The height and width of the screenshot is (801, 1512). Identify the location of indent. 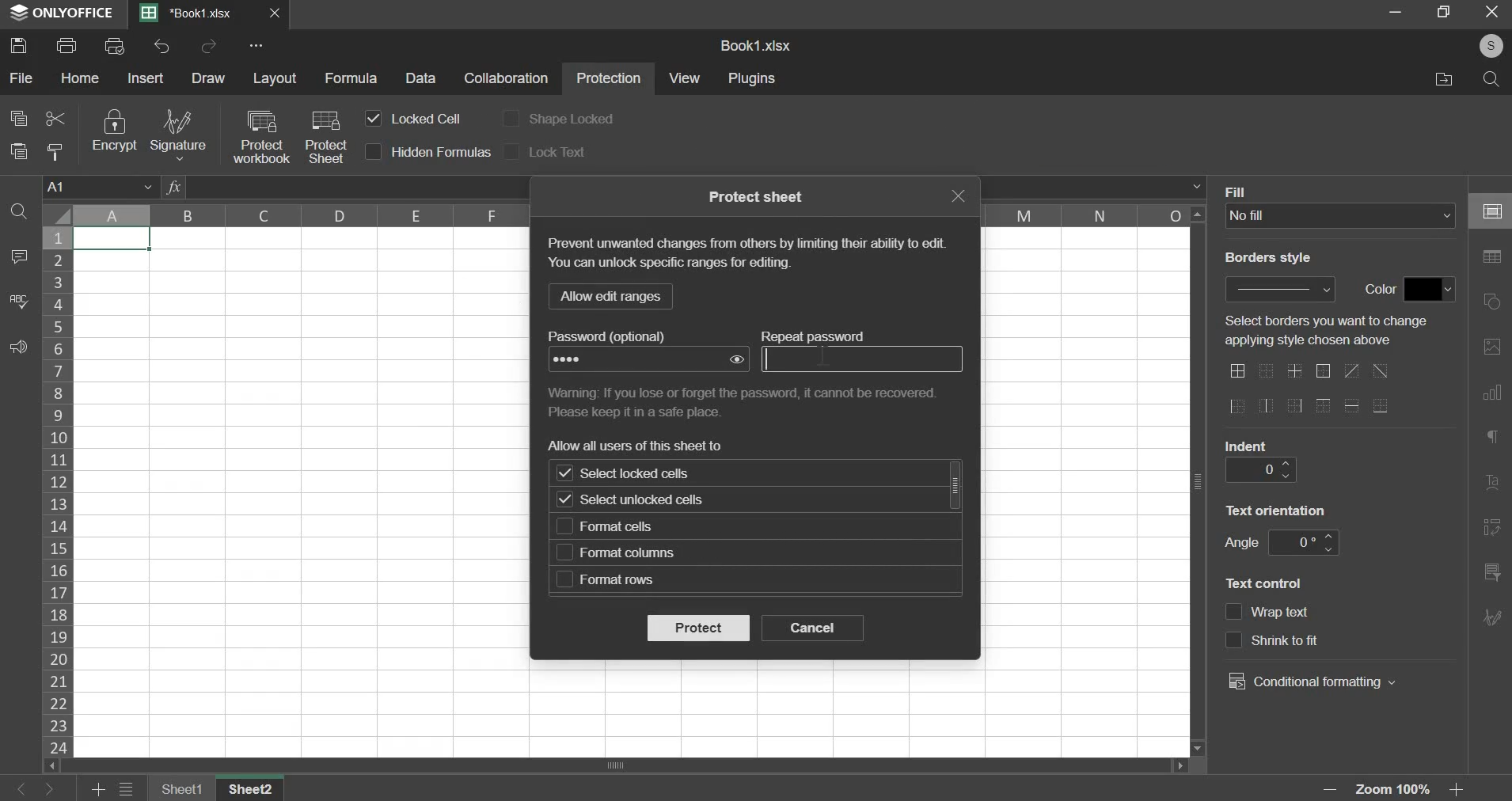
(1246, 445).